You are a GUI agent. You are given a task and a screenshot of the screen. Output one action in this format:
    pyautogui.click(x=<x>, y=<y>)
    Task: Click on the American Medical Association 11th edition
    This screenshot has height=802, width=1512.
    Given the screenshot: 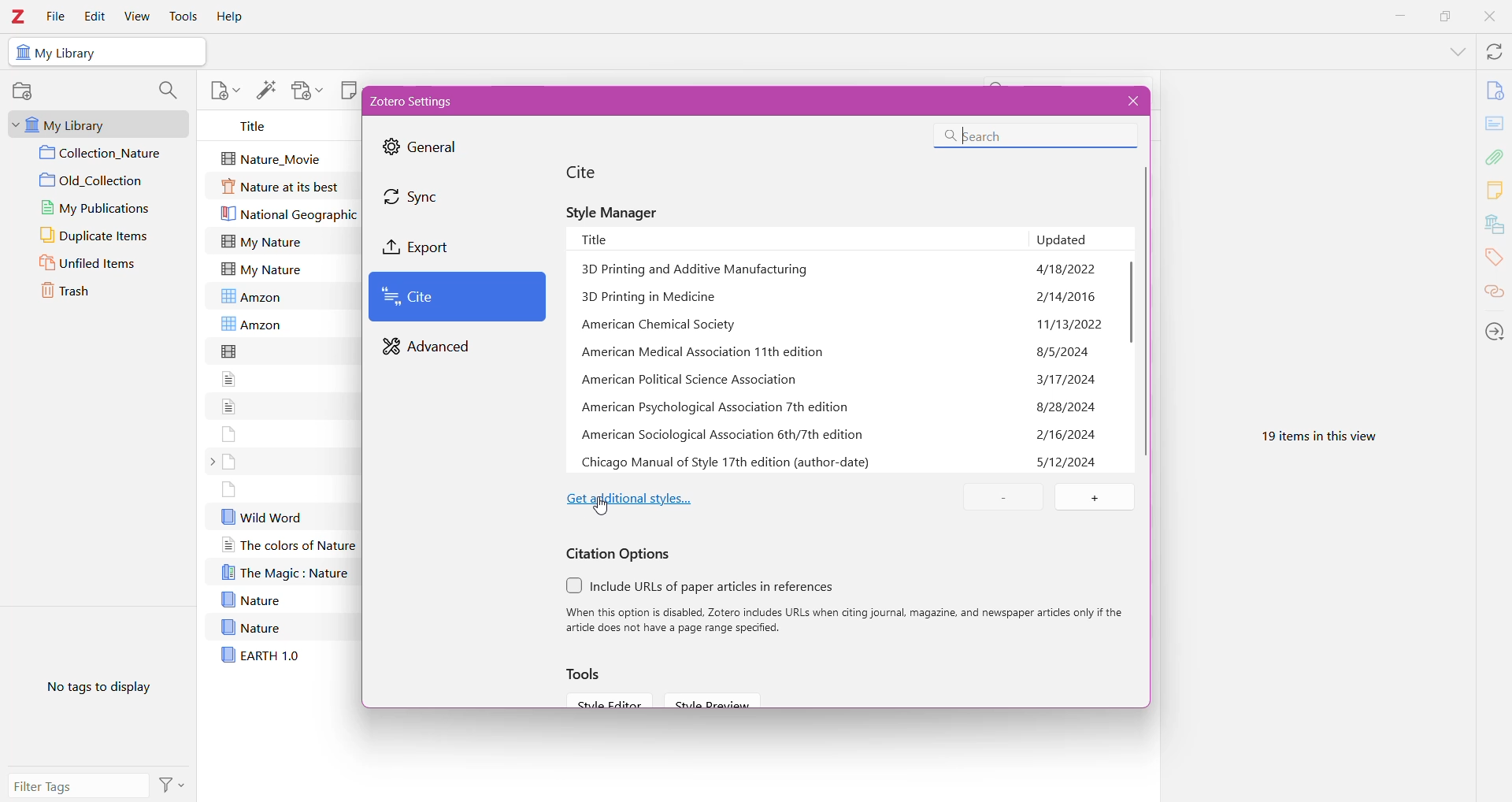 What is the action you would take?
    pyautogui.click(x=707, y=353)
    